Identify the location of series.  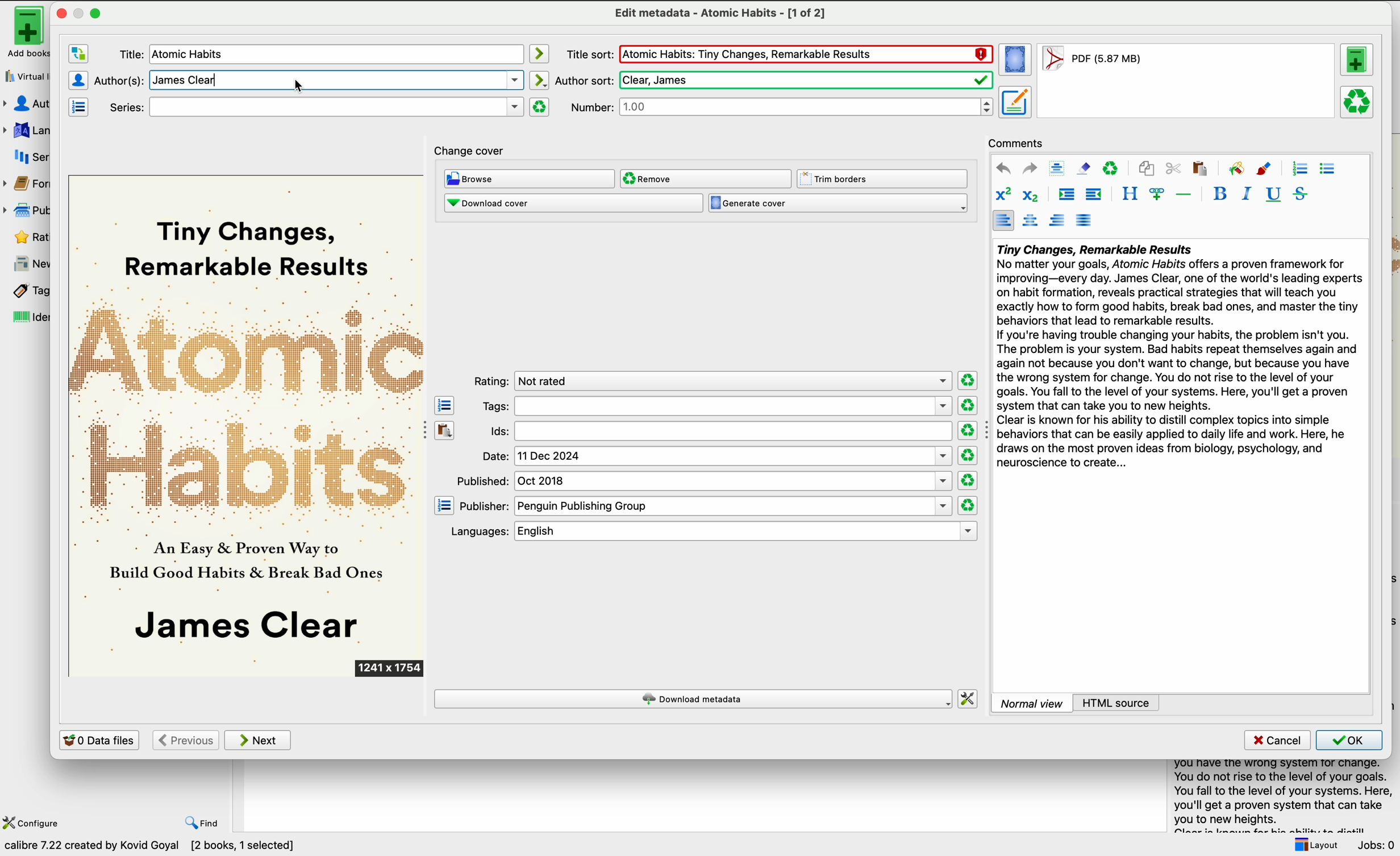
(311, 106).